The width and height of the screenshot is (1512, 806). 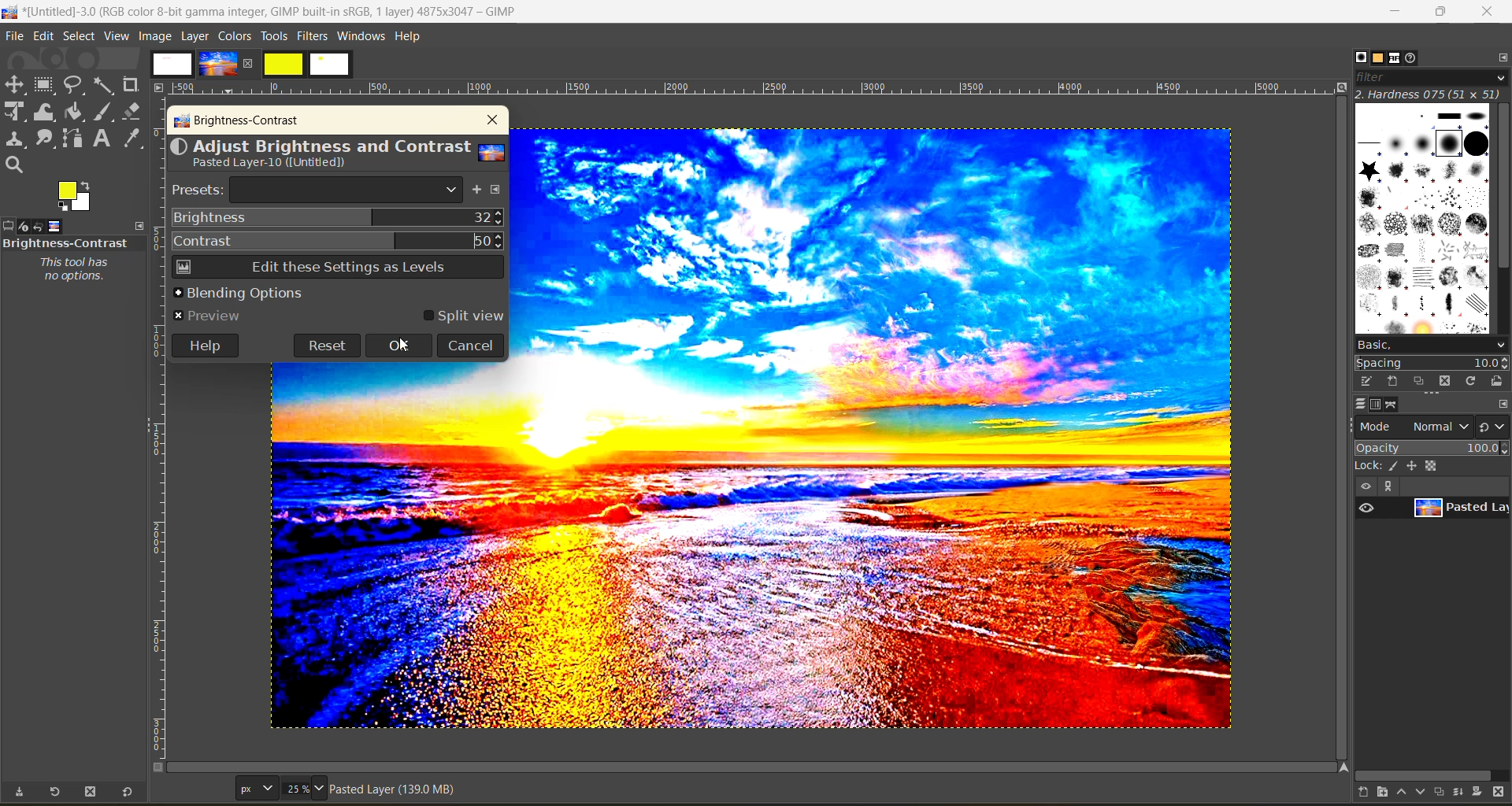 What do you see at coordinates (197, 35) in the screenshot?
I see `layer` at bounding box center [197, 35].